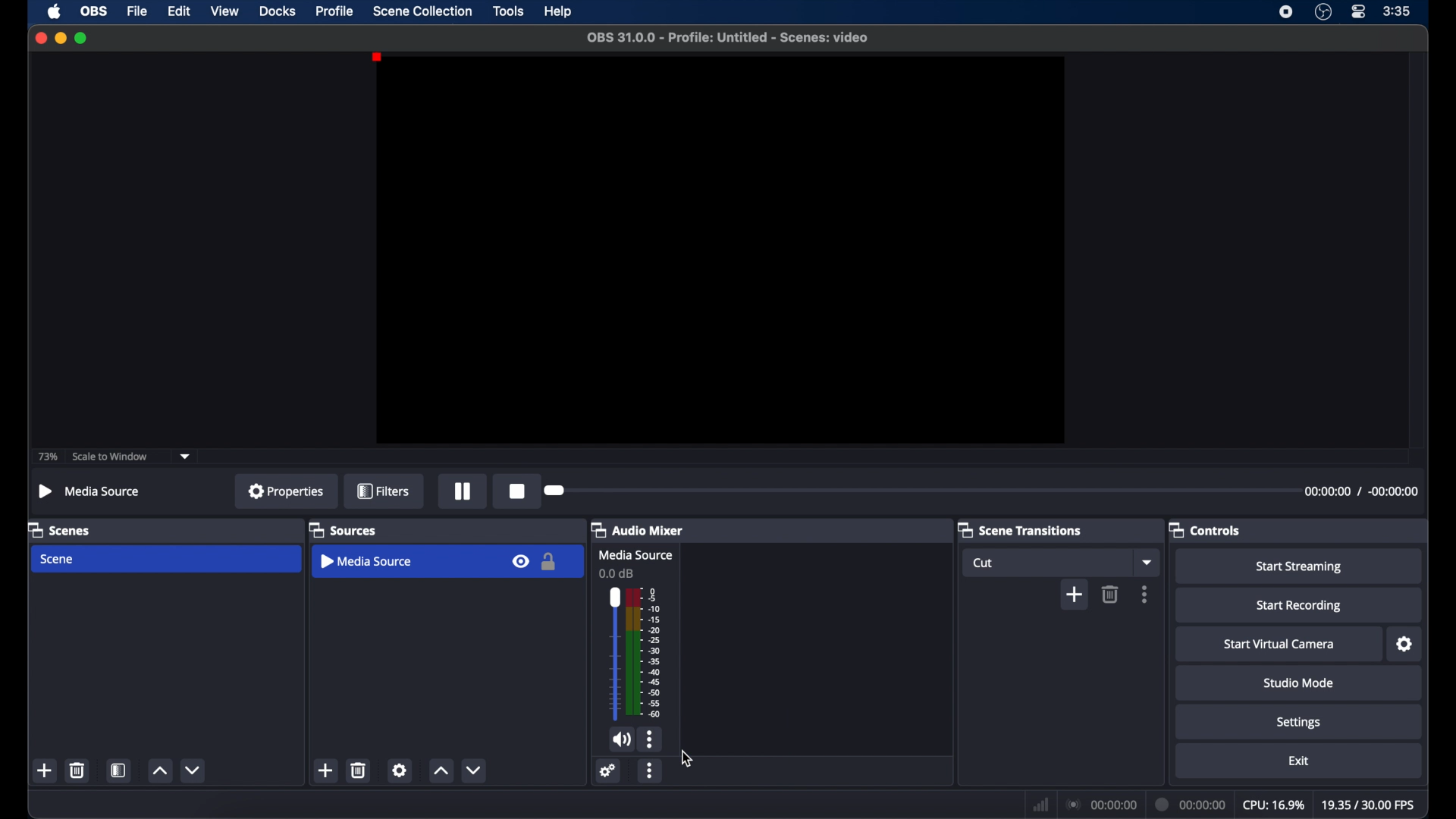  I want to click on minimize, so click(60, 39).